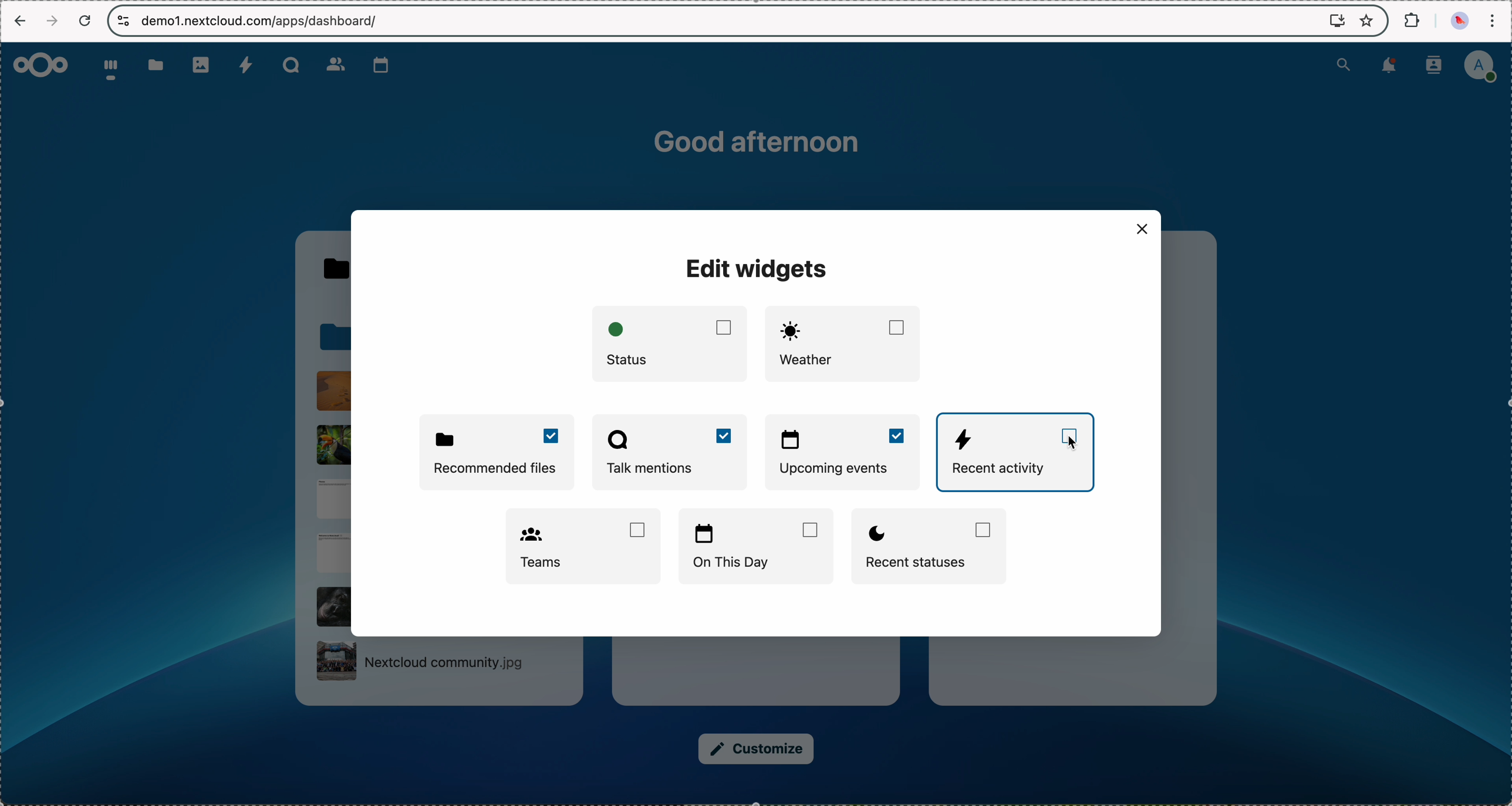  I want to click on enable Talk mentions, so click(670, 453).